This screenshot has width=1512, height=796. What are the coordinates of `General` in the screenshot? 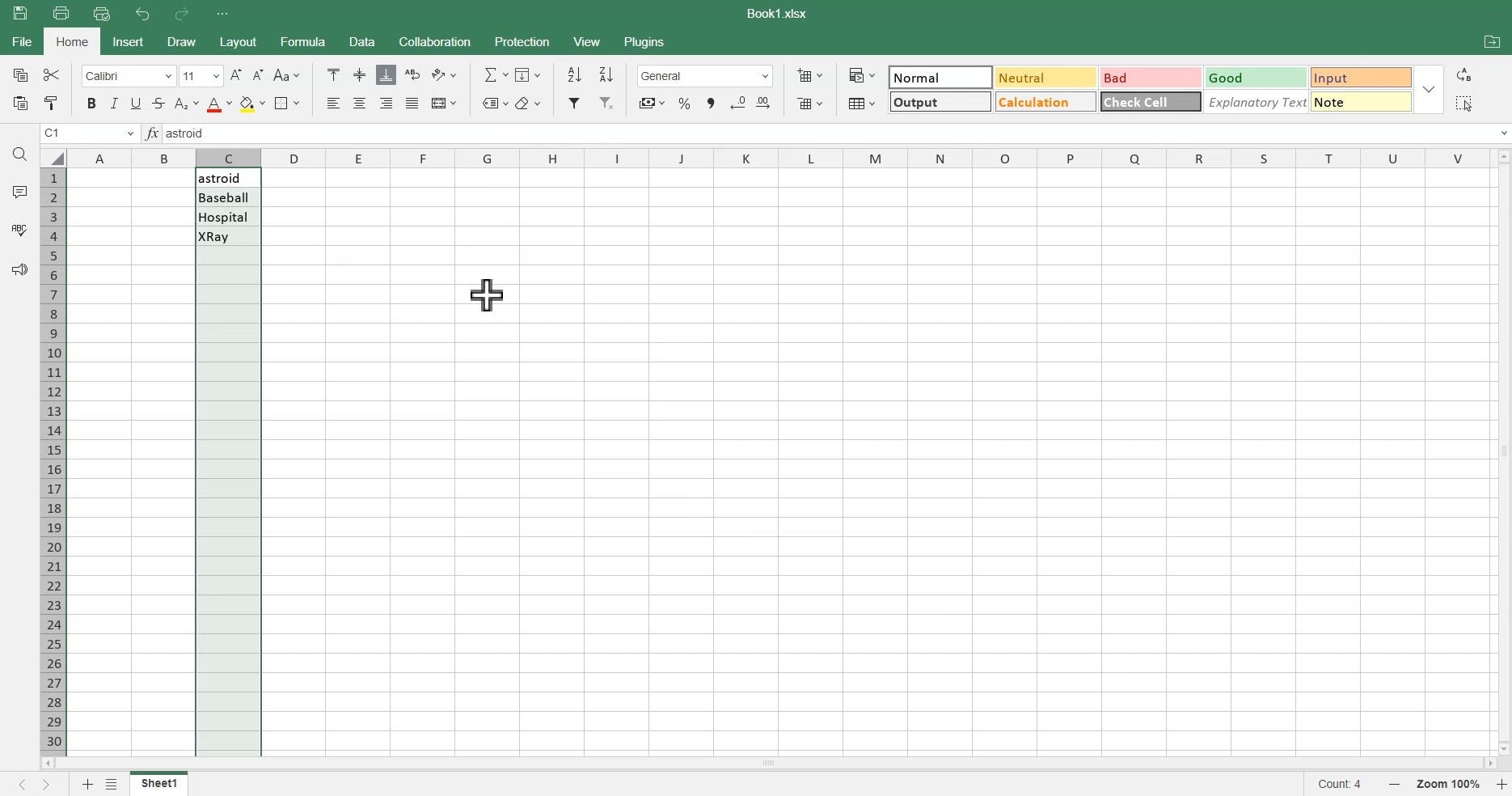 It's located at (705, 76).